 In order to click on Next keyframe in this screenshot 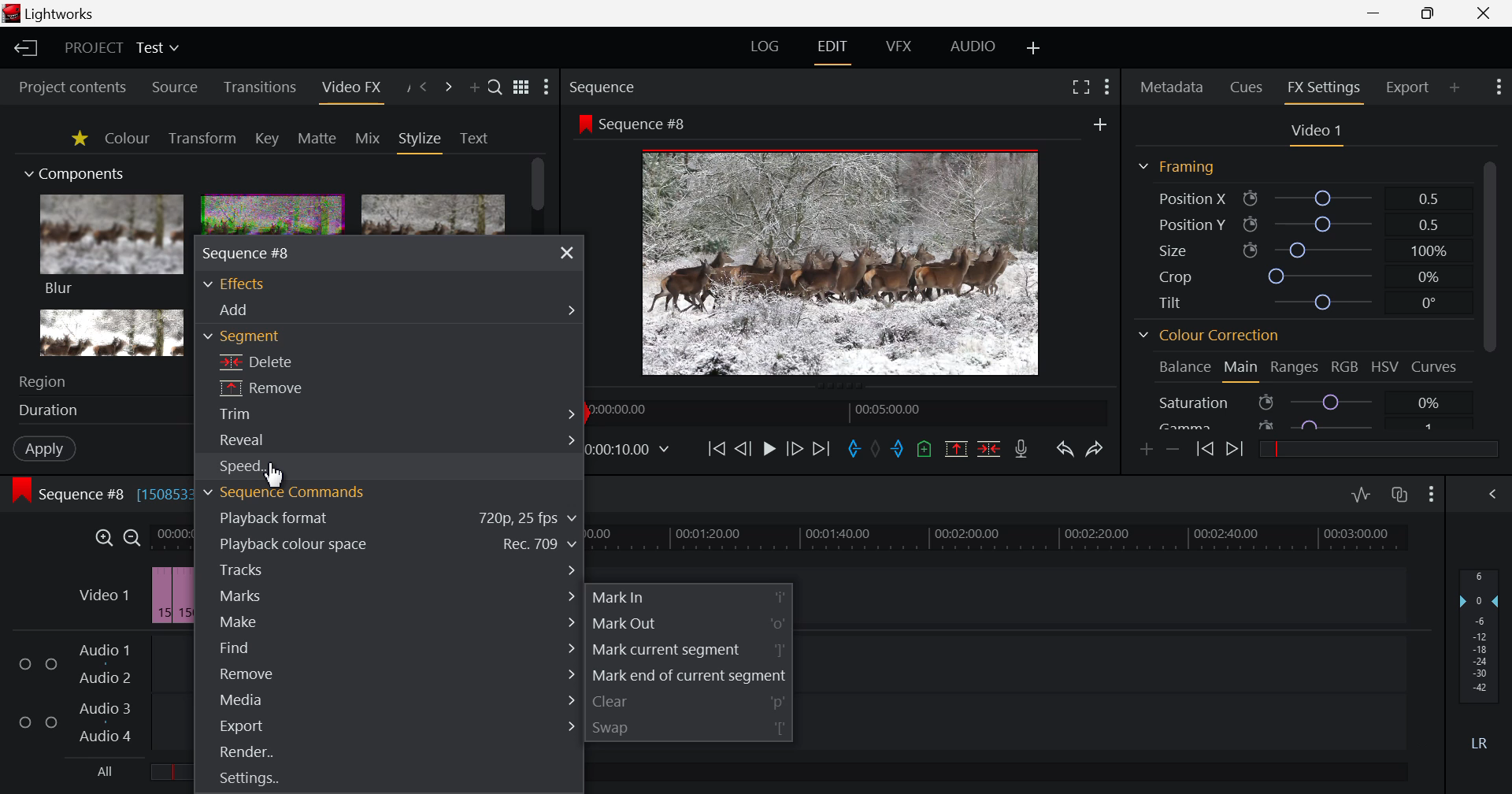, I will do `click(1236, 451)`.